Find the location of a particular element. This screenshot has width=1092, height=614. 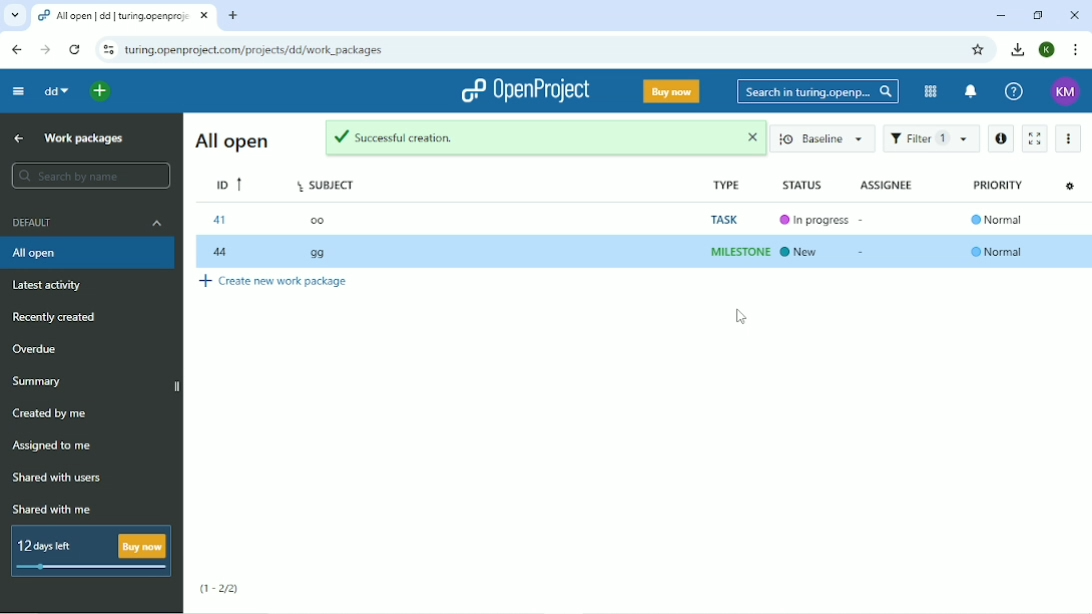

Back is located at coordinates (17, 50).